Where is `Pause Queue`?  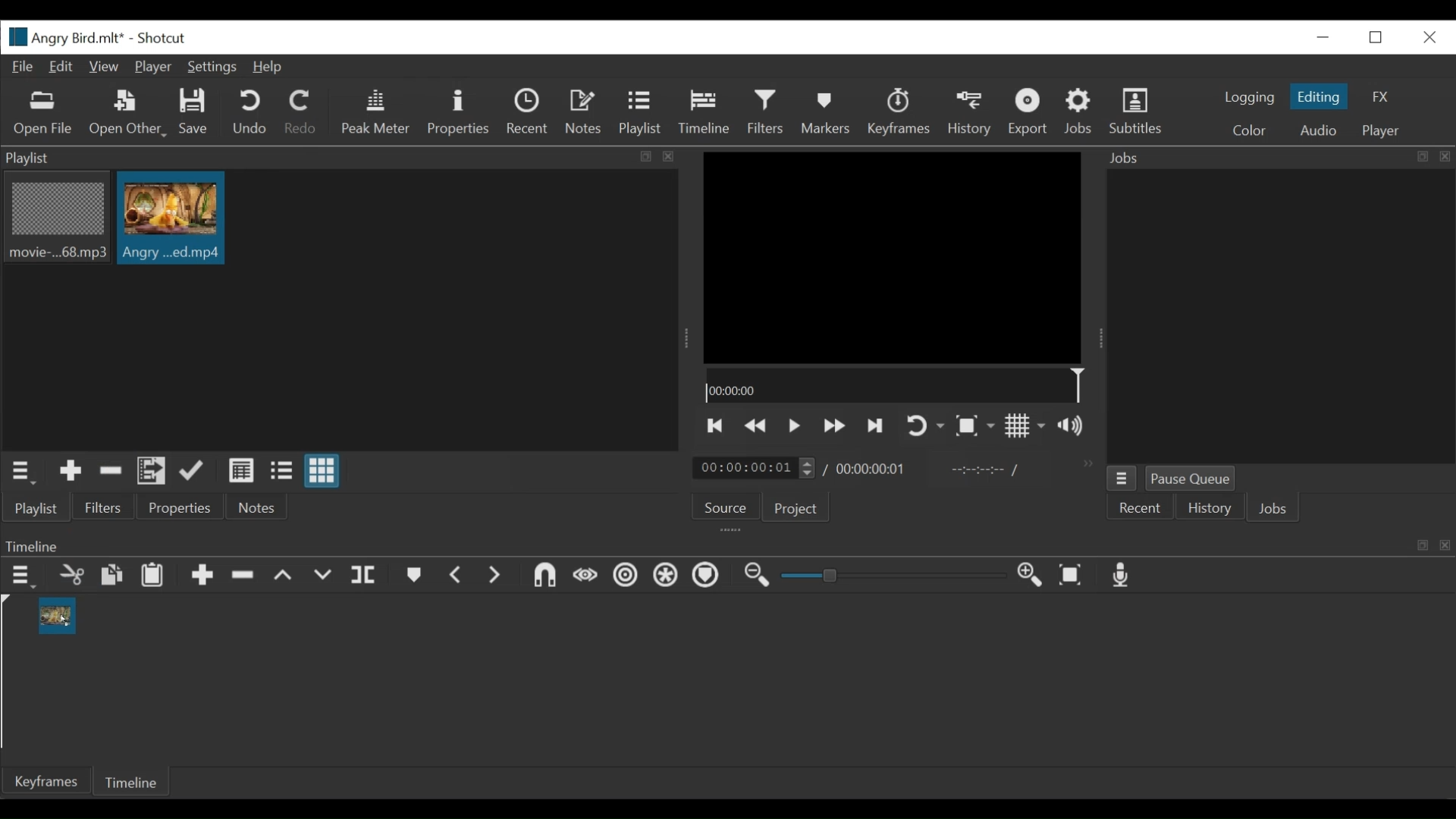 Pause Queue is located at coordinates (1191, 477).